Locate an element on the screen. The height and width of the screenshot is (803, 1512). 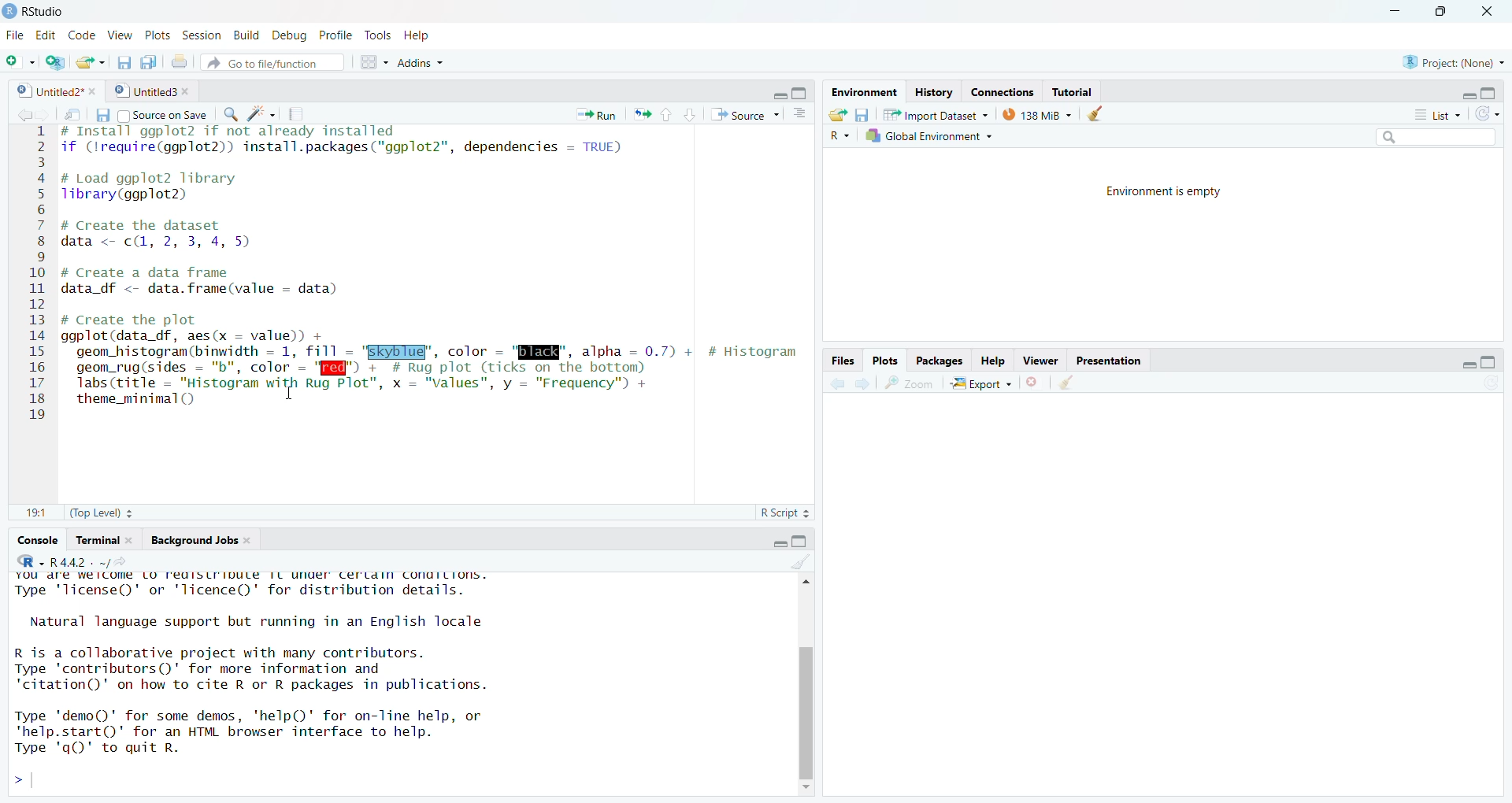
File is located at coordinates (13, 32).